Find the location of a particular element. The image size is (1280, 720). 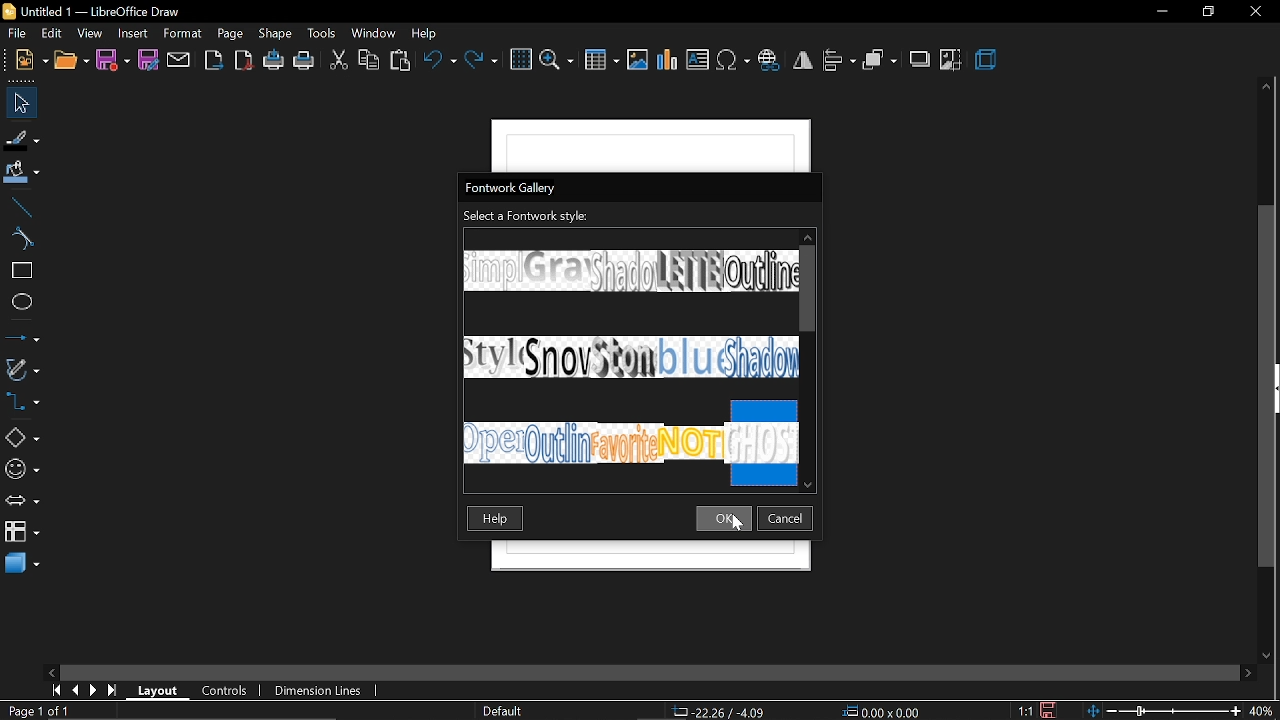

move left is located at coordinates (51, 672).